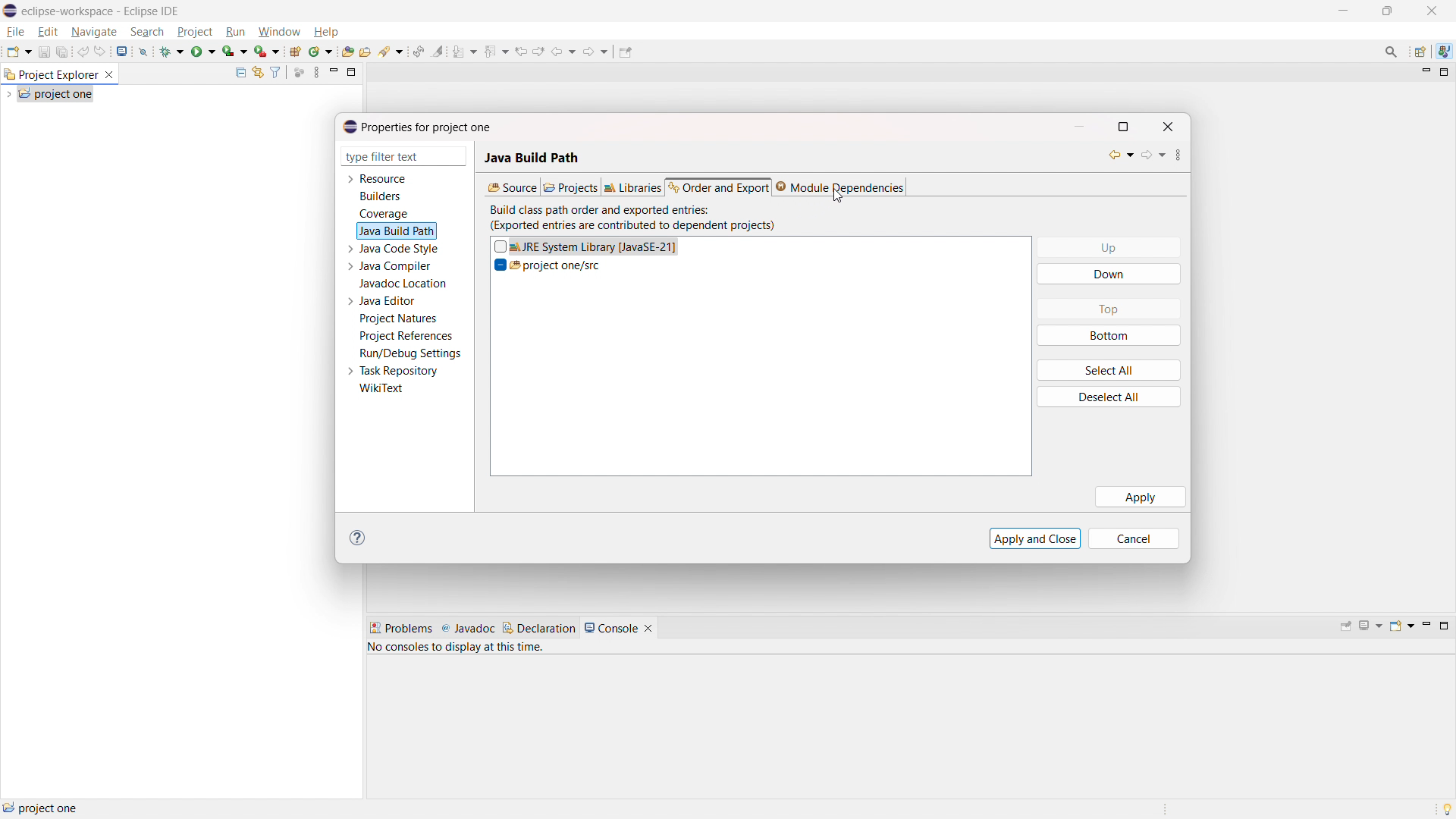  Describe the element at coordinates (1109, 396) in the screenshot. I see `deselect all` at that location.